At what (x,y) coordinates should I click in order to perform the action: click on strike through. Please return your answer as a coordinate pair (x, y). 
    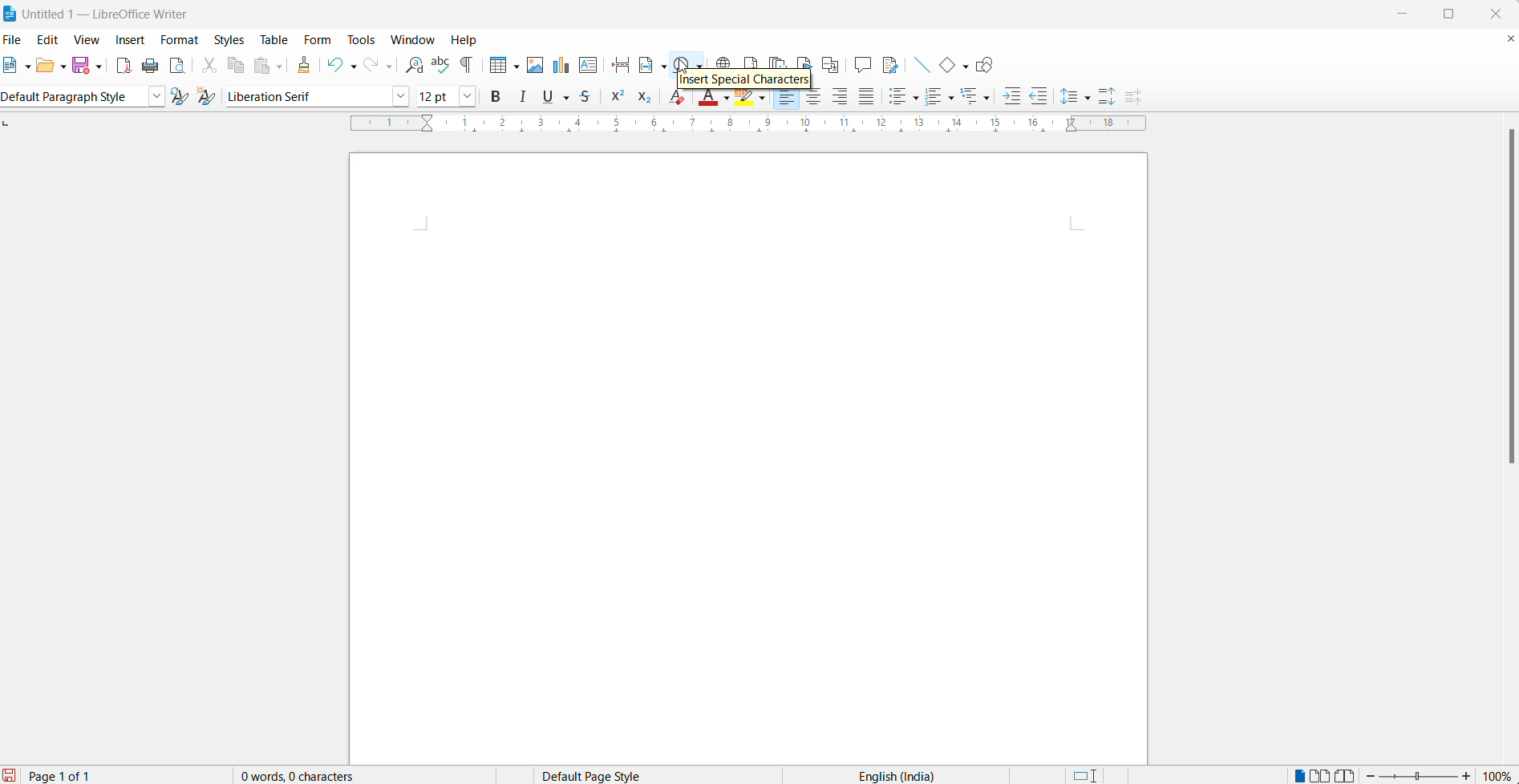
    Looking at the image, I should click on (591, 98).